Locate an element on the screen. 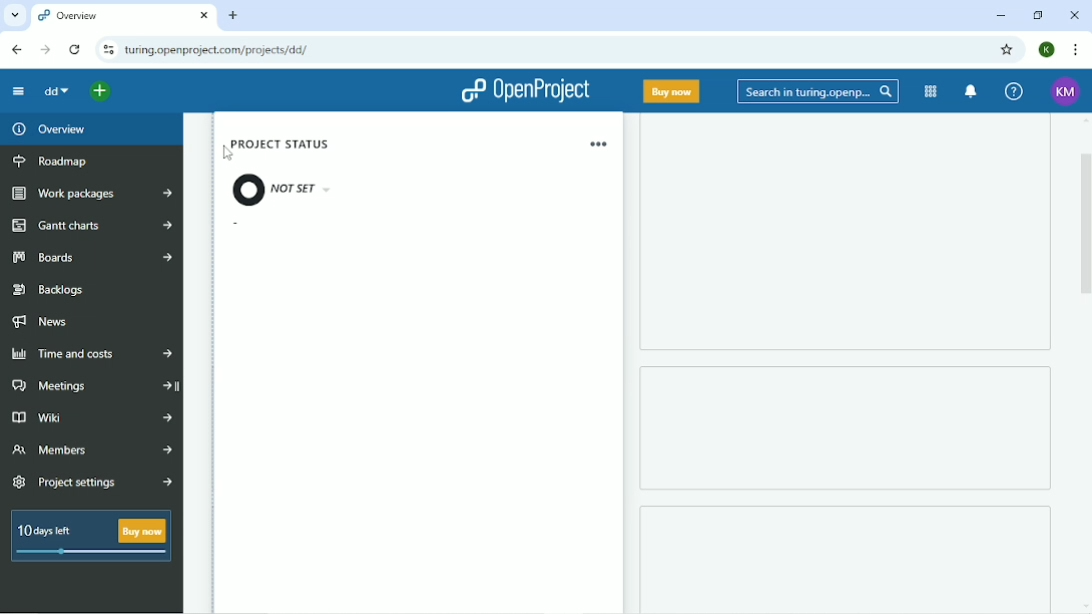  Backlogs is located at coordinates (49, 288).